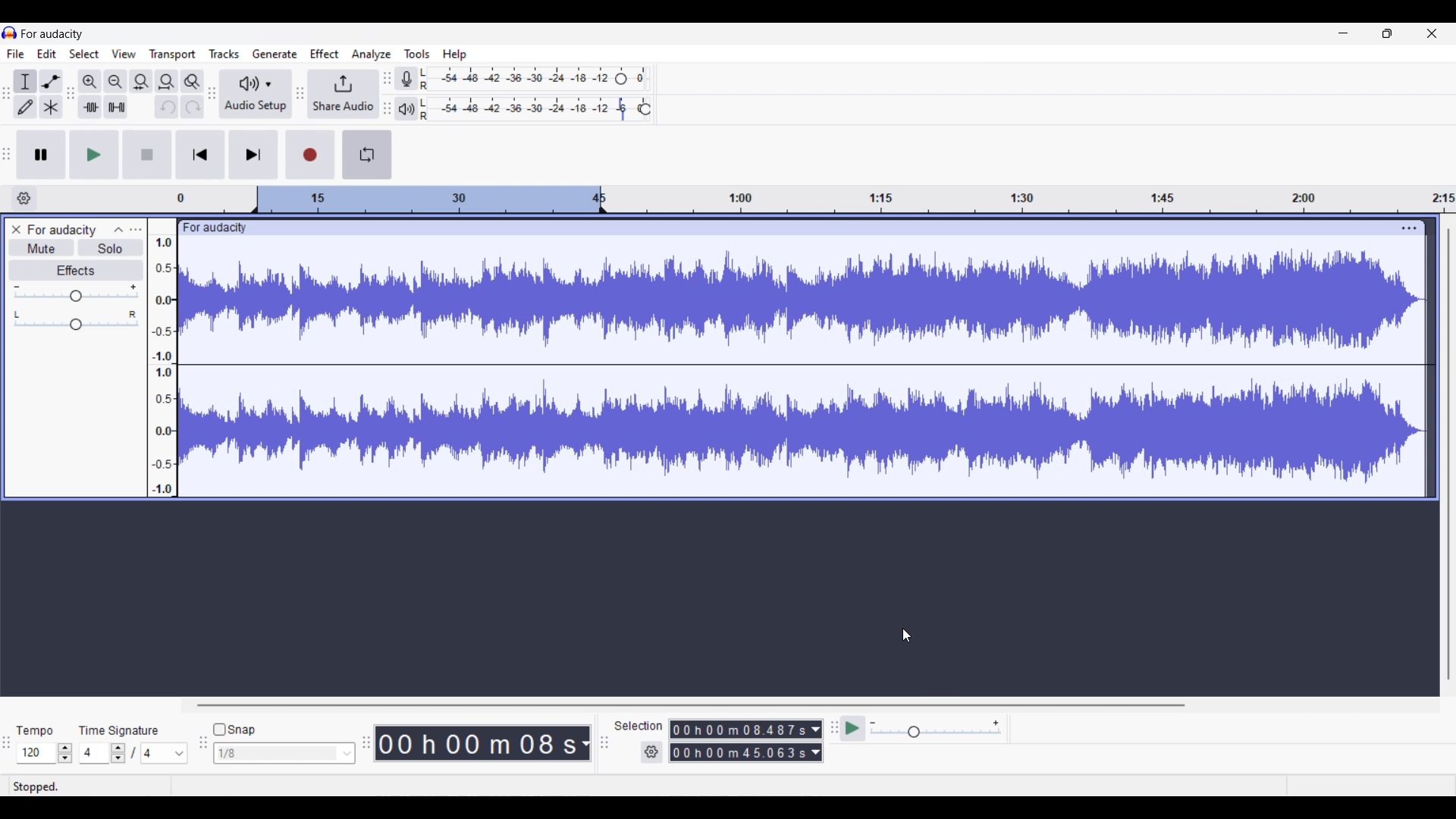 This screenshot has width=1456, height=819. Describe the element at coordinates (1449, 454) in the screenshot. I see `Vertical slide bar` at that location.